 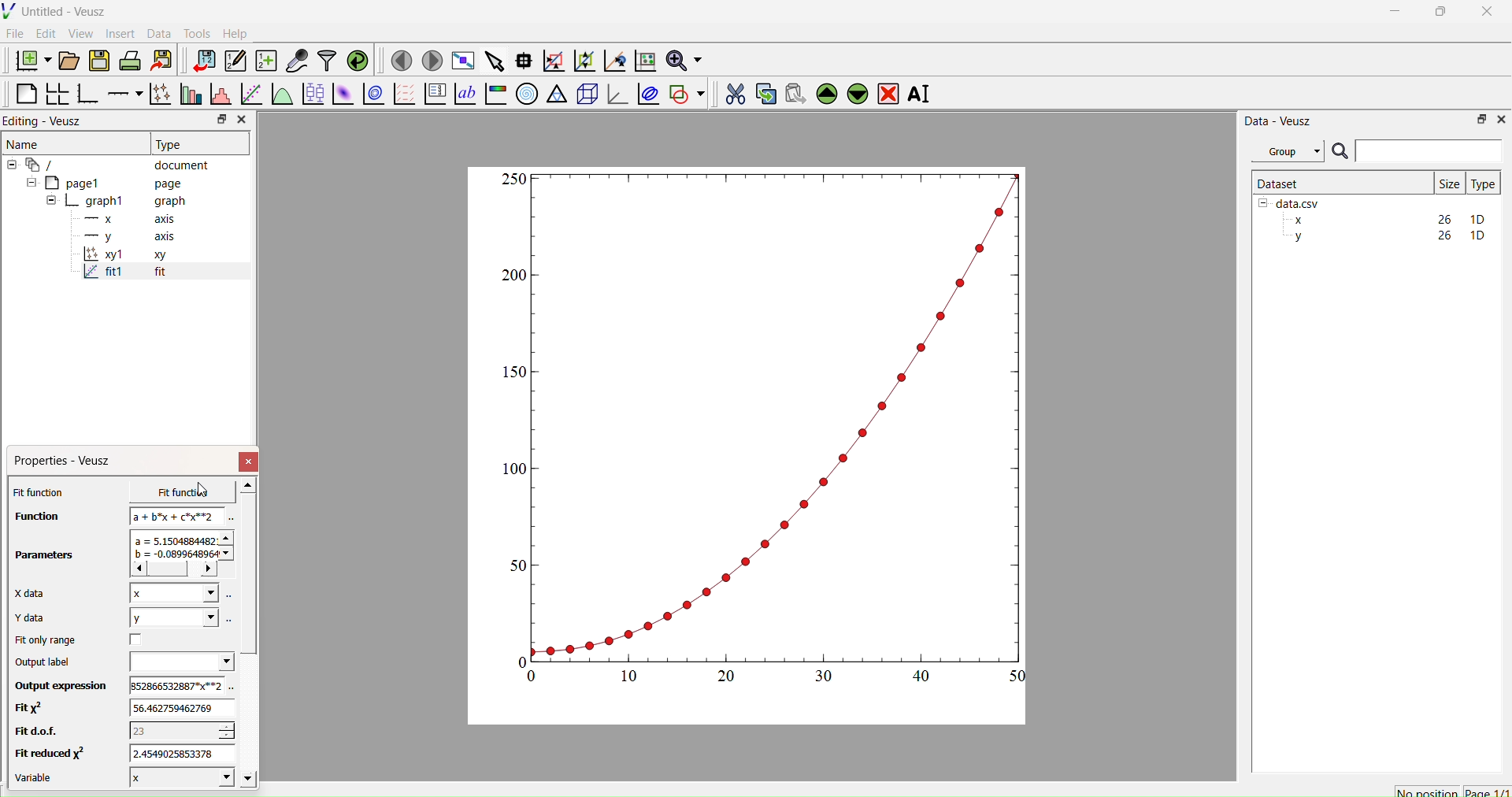 What do you see at coordinates (15, 33) in the screenshot?
I see `File` at bounding box center [15, 33].